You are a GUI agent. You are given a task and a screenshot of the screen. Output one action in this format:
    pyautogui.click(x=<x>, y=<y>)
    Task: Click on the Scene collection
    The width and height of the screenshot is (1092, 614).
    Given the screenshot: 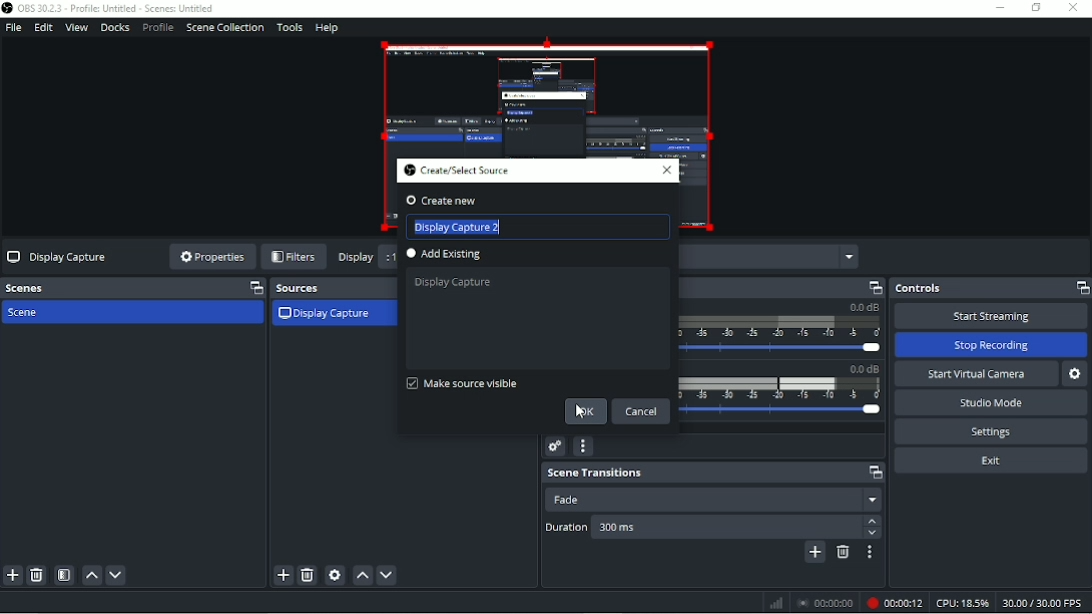 What is the action you would take?
    pyautogui.click(x=224, y=28)
    